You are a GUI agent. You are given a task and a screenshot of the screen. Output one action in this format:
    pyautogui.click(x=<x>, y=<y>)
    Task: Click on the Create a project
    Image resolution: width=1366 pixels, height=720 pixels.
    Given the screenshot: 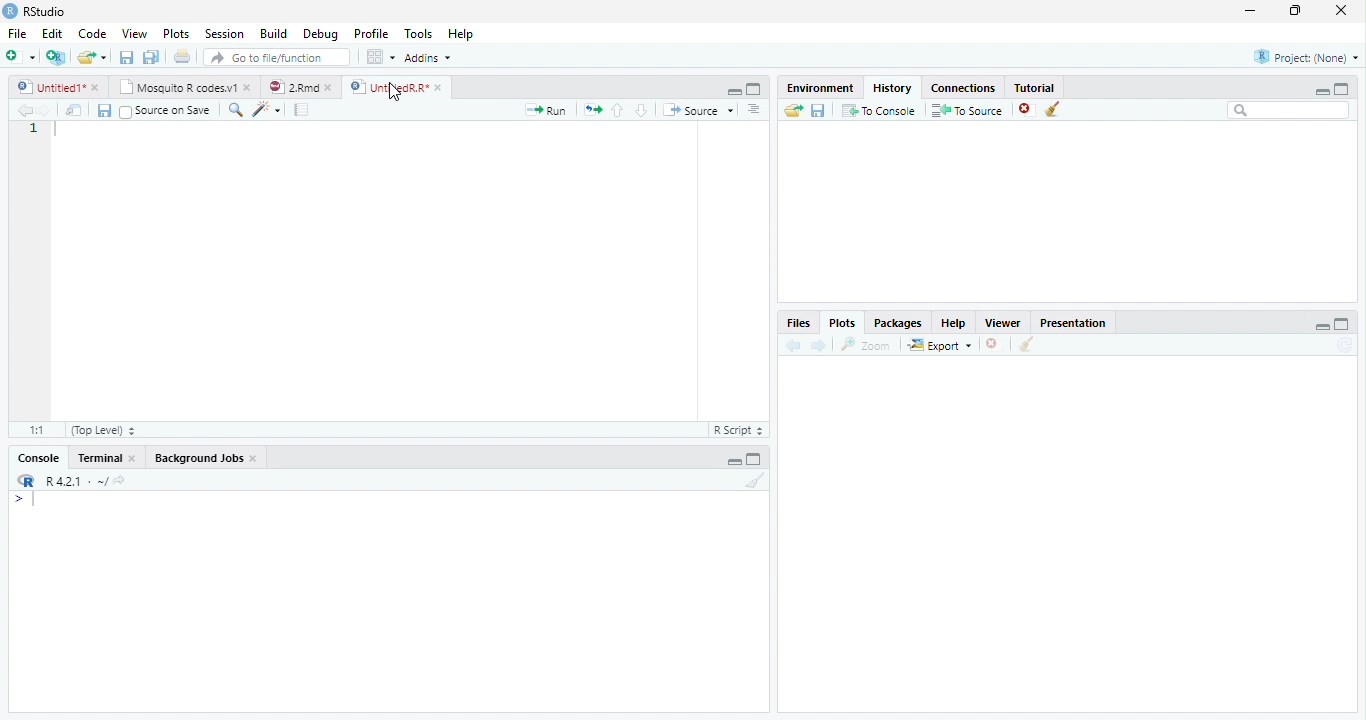 What is the action you would take?
    pyautogui.click(x=54, y=57)
    